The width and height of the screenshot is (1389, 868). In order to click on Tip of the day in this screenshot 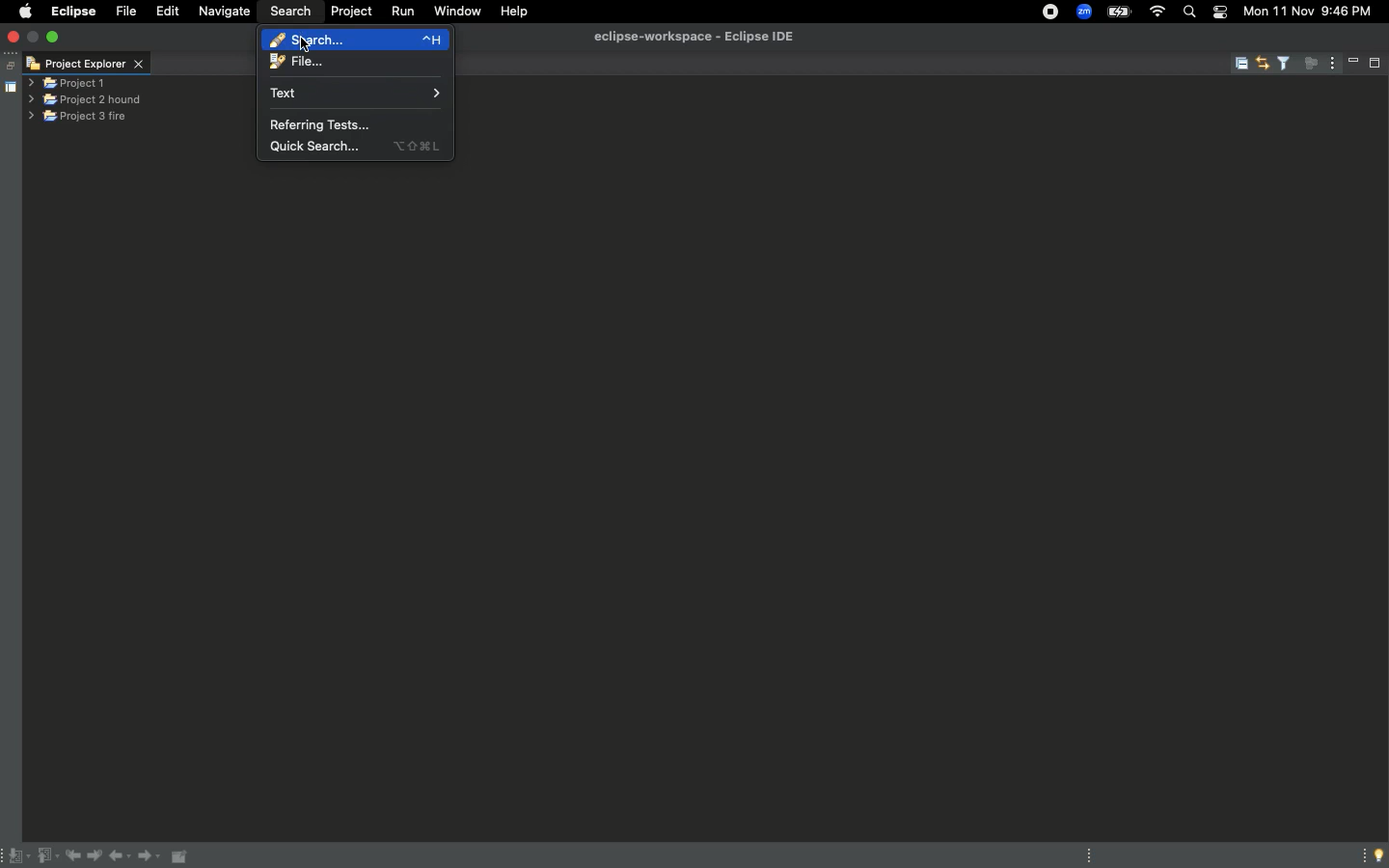, I will do `click(1374, 855)`.